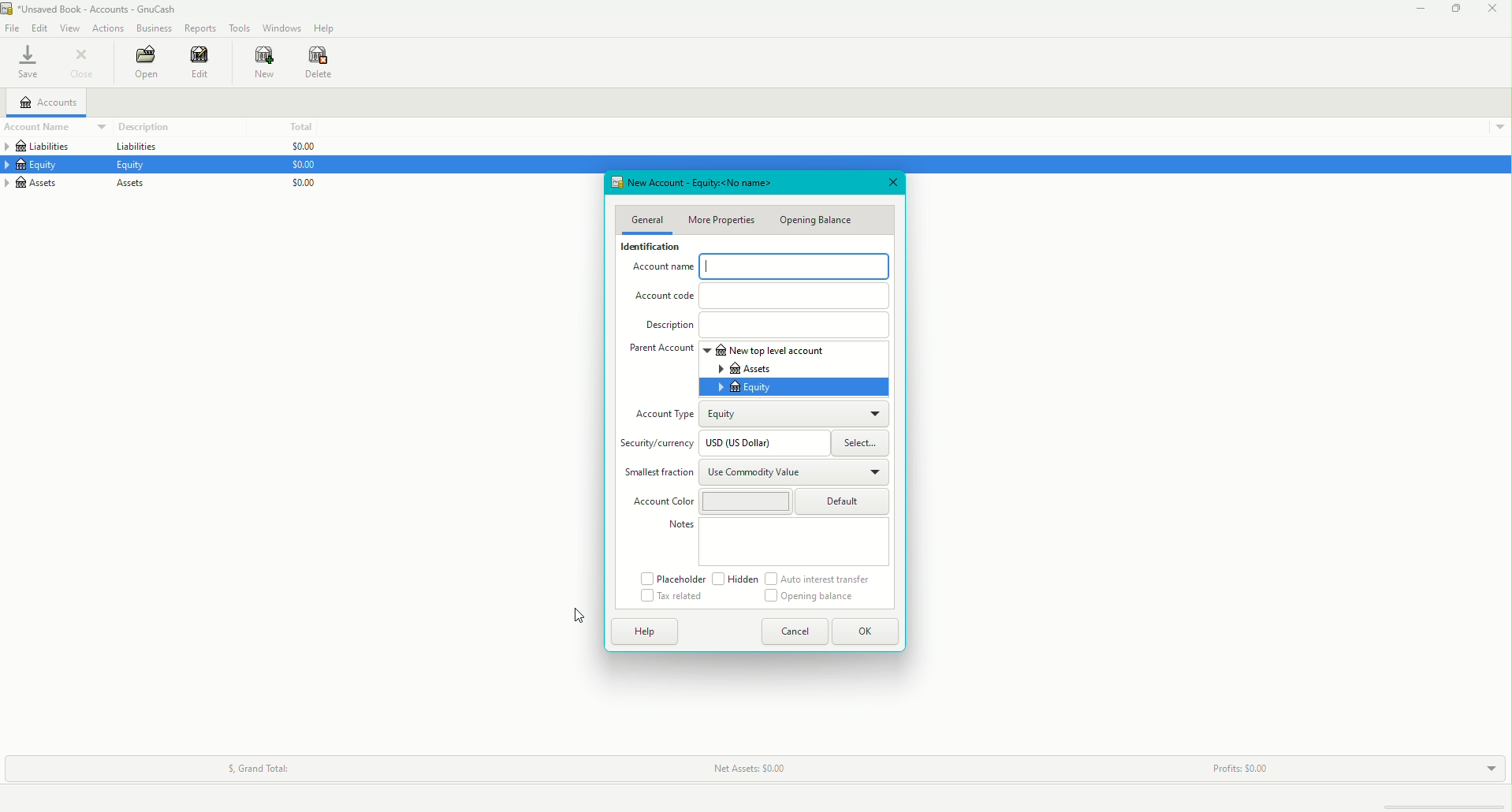  I want to click on New Account, so click(709, 183).